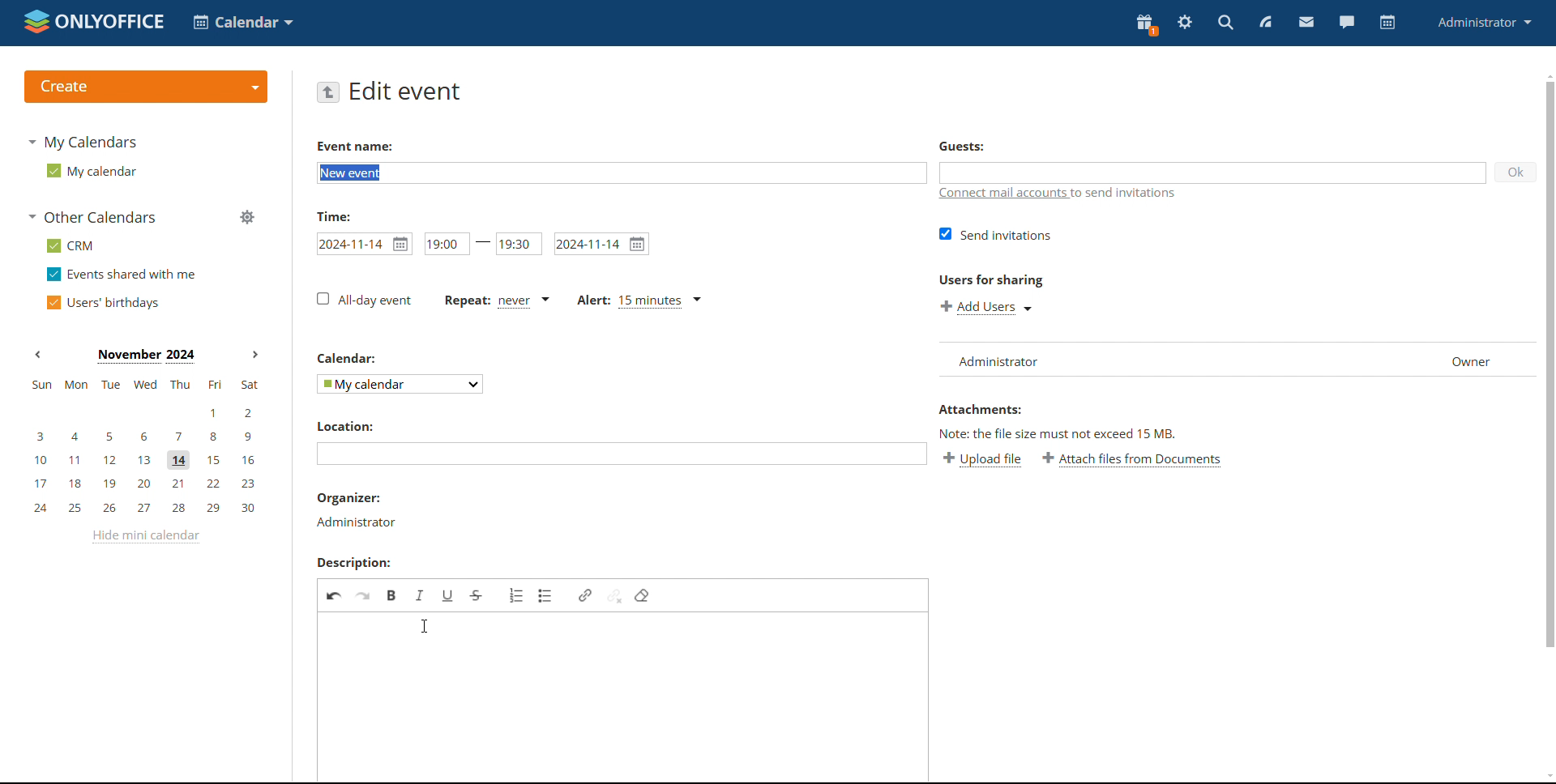 This screenshot has width=1556, height=784. What do you see at coordinates (1387, 23) in the screenshot?
I see `calendar` at bounding box center [1387, 23].